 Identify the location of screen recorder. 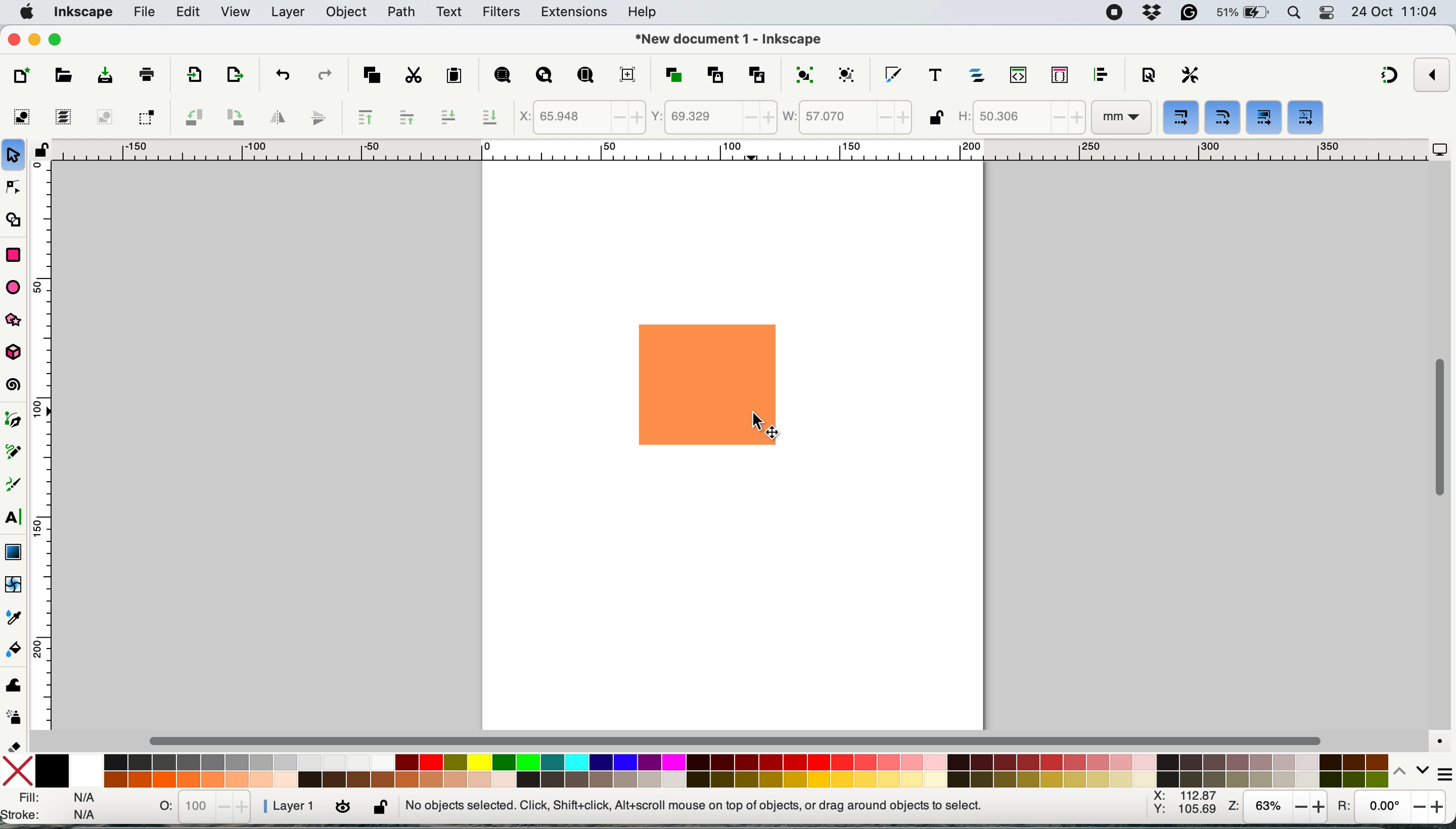
(1114, 13).